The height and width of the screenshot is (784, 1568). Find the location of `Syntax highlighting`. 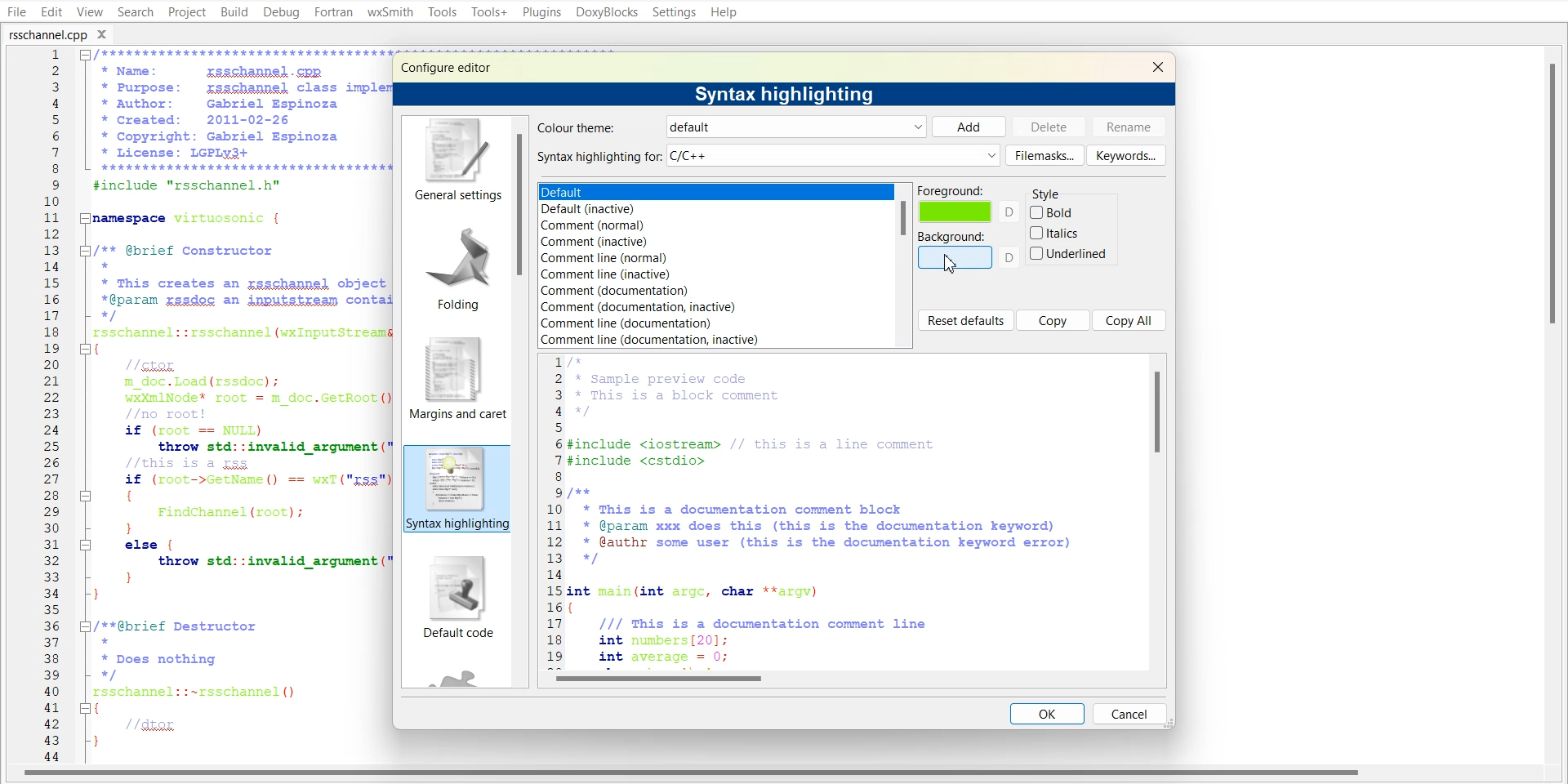

Syntax highlighting is located at coordinates (788, 93).